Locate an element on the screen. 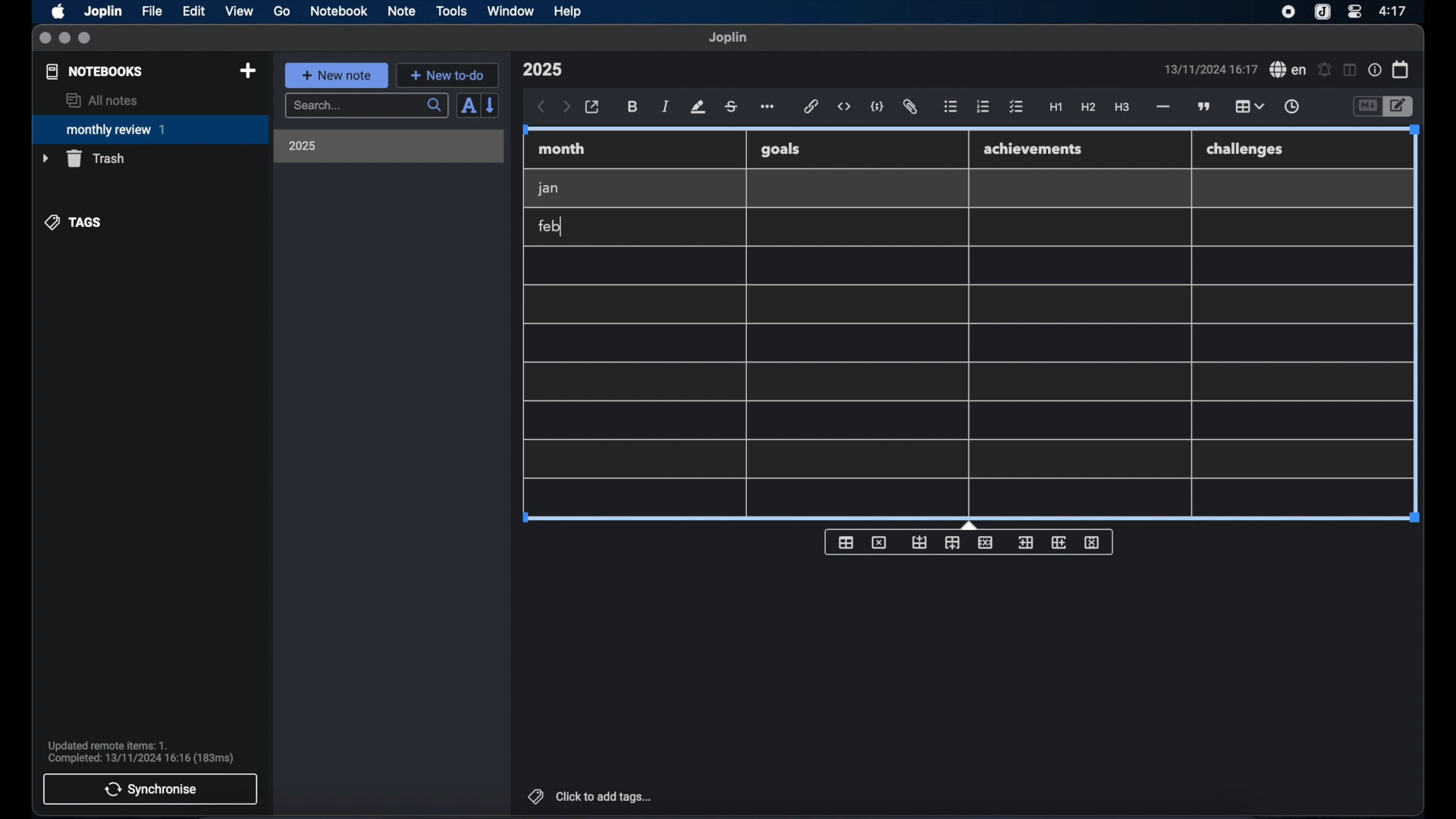 The image size is (1456, 819). block quotes is located at coordinates (1205, 107).